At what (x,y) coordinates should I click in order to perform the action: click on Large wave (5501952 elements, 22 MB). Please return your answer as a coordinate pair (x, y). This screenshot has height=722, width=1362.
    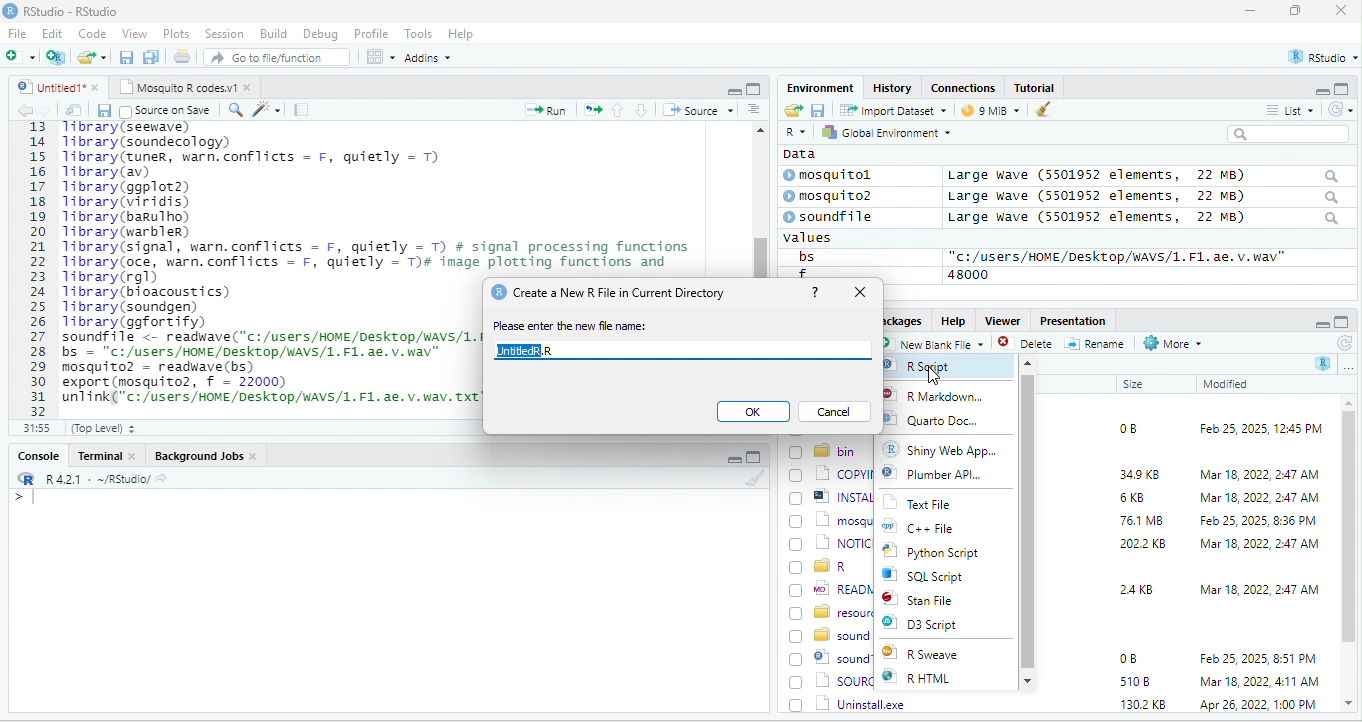
    Looking at the image, I should click on (1144, 219).